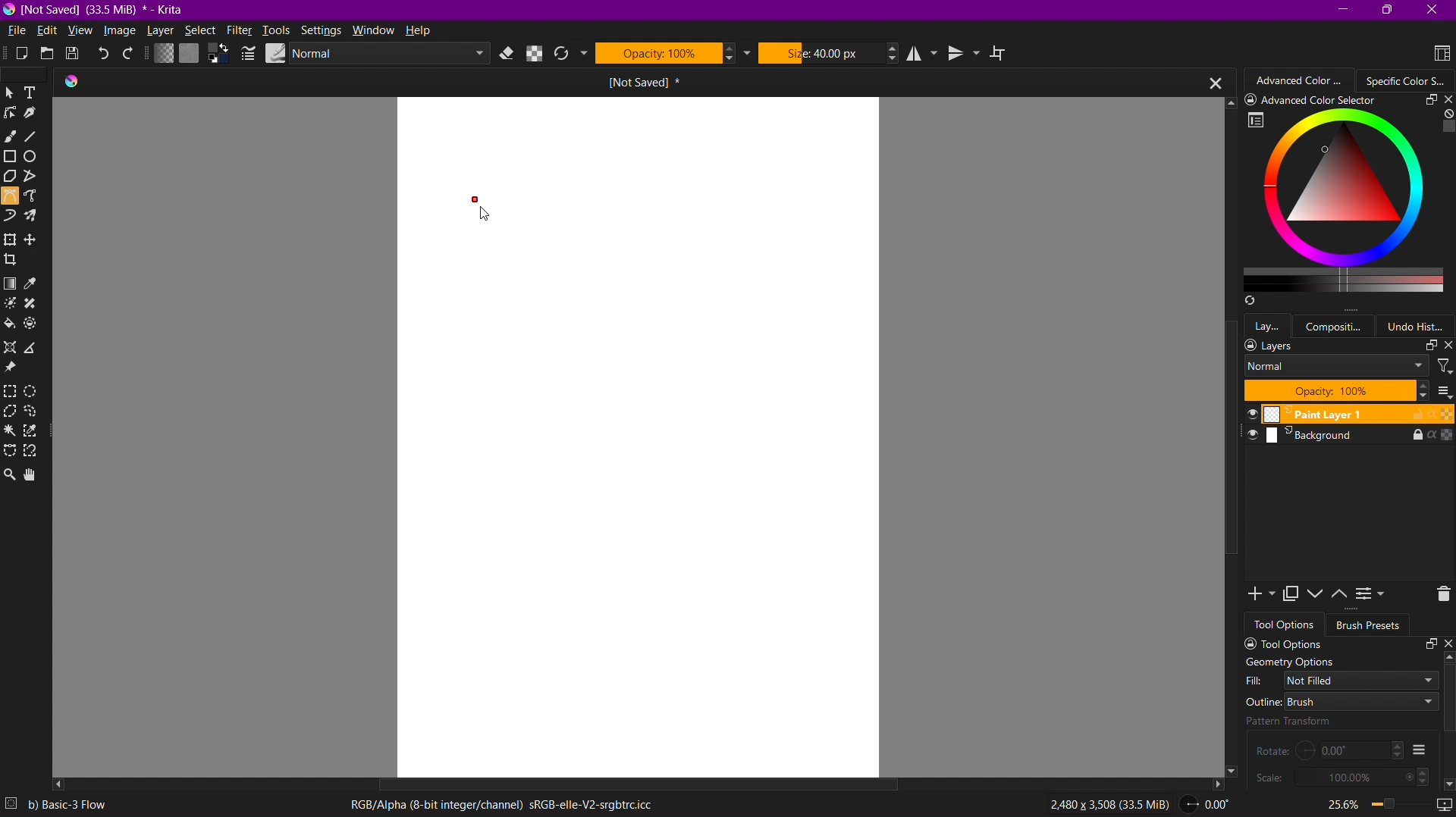 The width and height of the screenshot is (1456, 817). I want to click on SelectShapes Tool, so click(11, 93).